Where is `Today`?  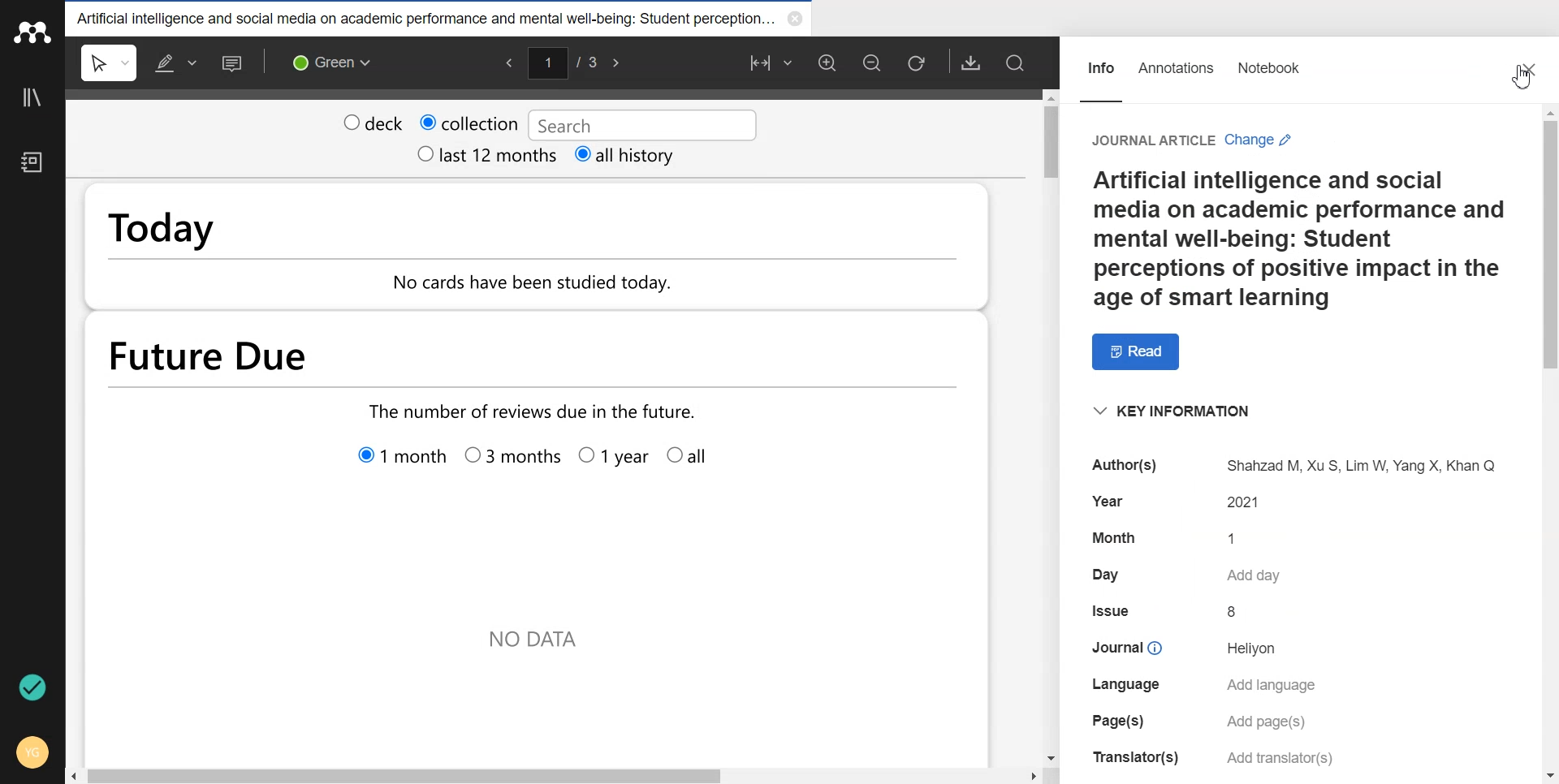
Today is located at coordinates (270, 230).